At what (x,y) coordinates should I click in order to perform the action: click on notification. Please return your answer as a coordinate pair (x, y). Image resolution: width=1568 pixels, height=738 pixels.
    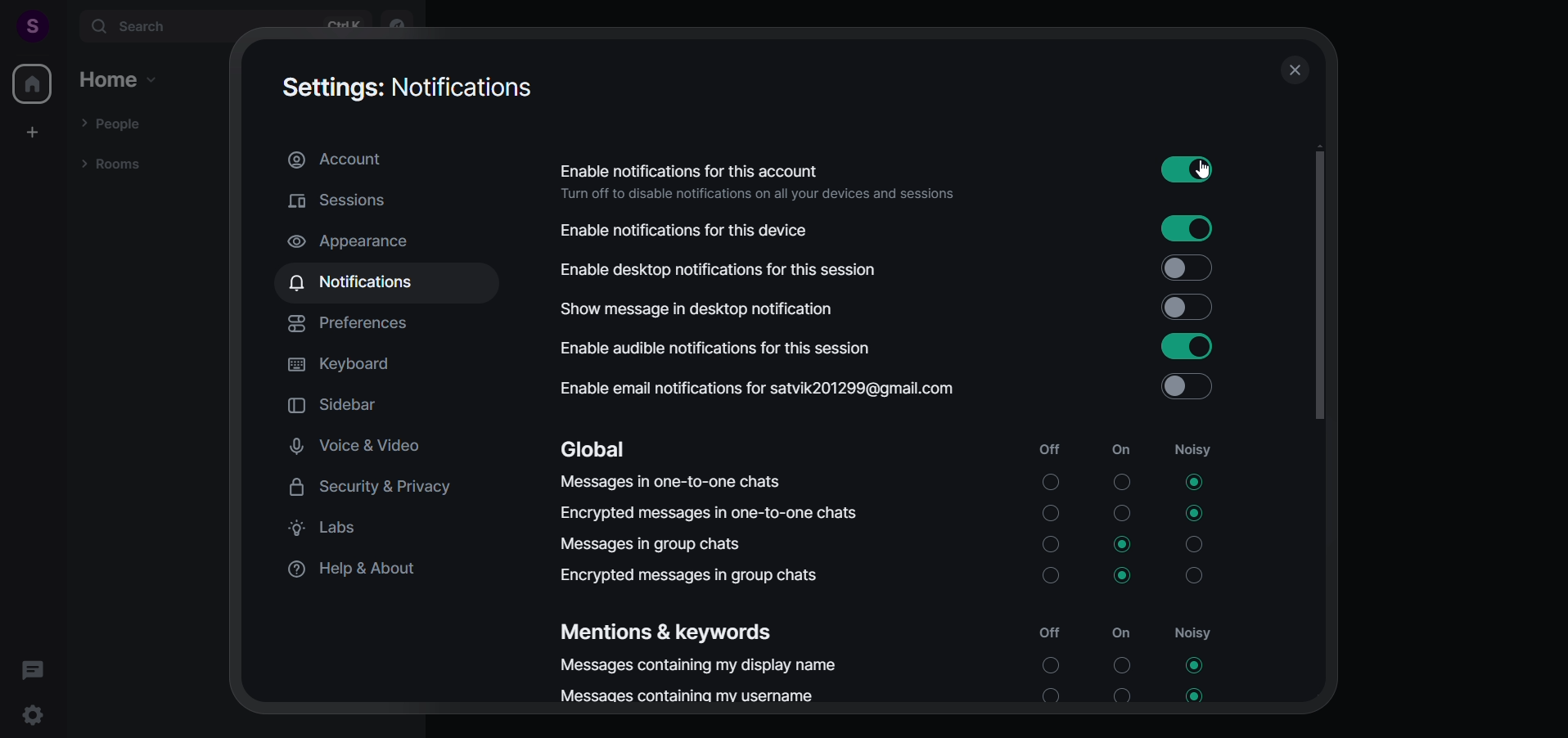
    Looking at the image, I should click on (358, 282).